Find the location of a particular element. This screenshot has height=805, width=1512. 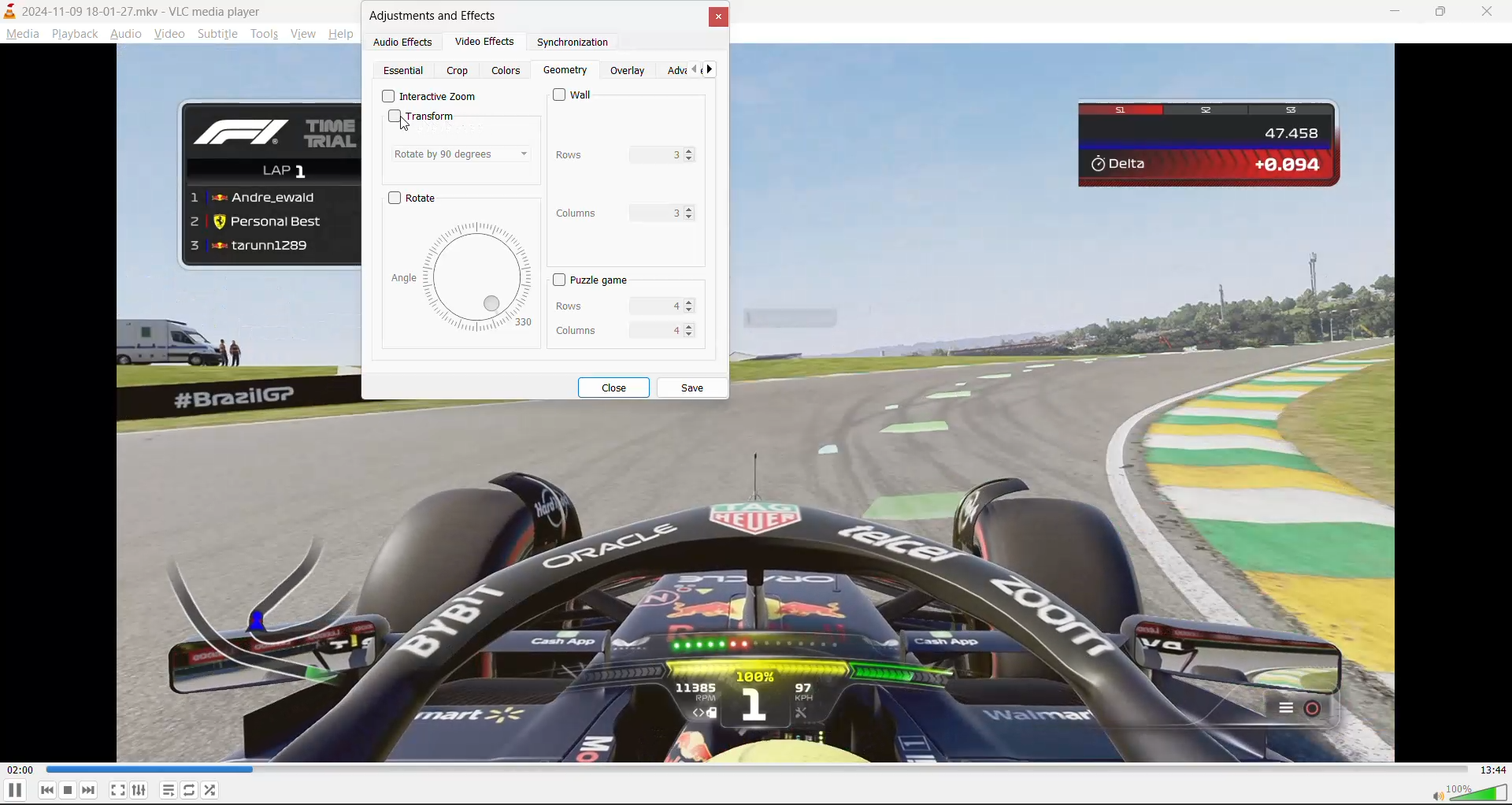

maximize is located at coordinates (1449, 13).